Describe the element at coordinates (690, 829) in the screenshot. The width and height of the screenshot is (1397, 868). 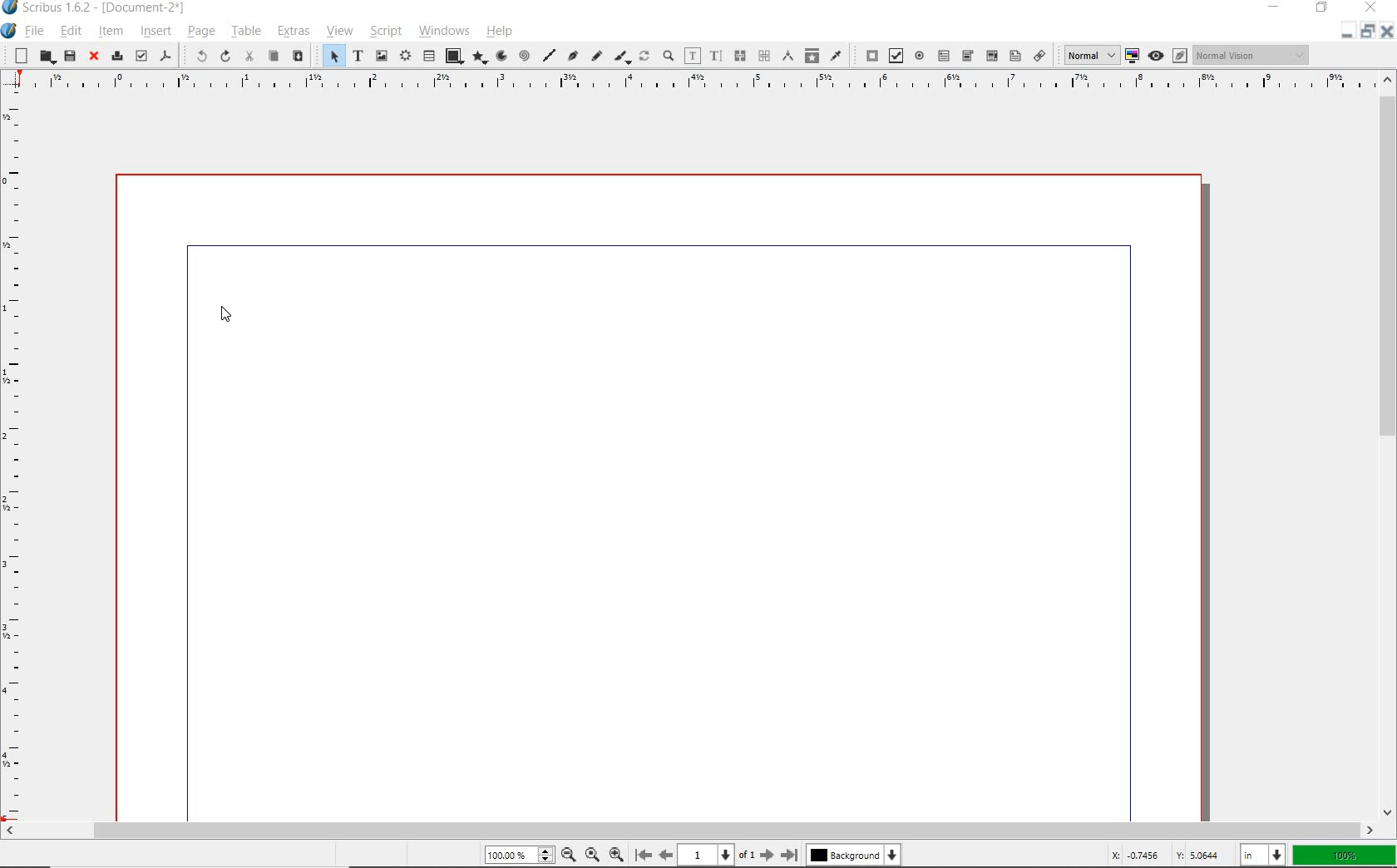
I see `scrollbar` at that location.